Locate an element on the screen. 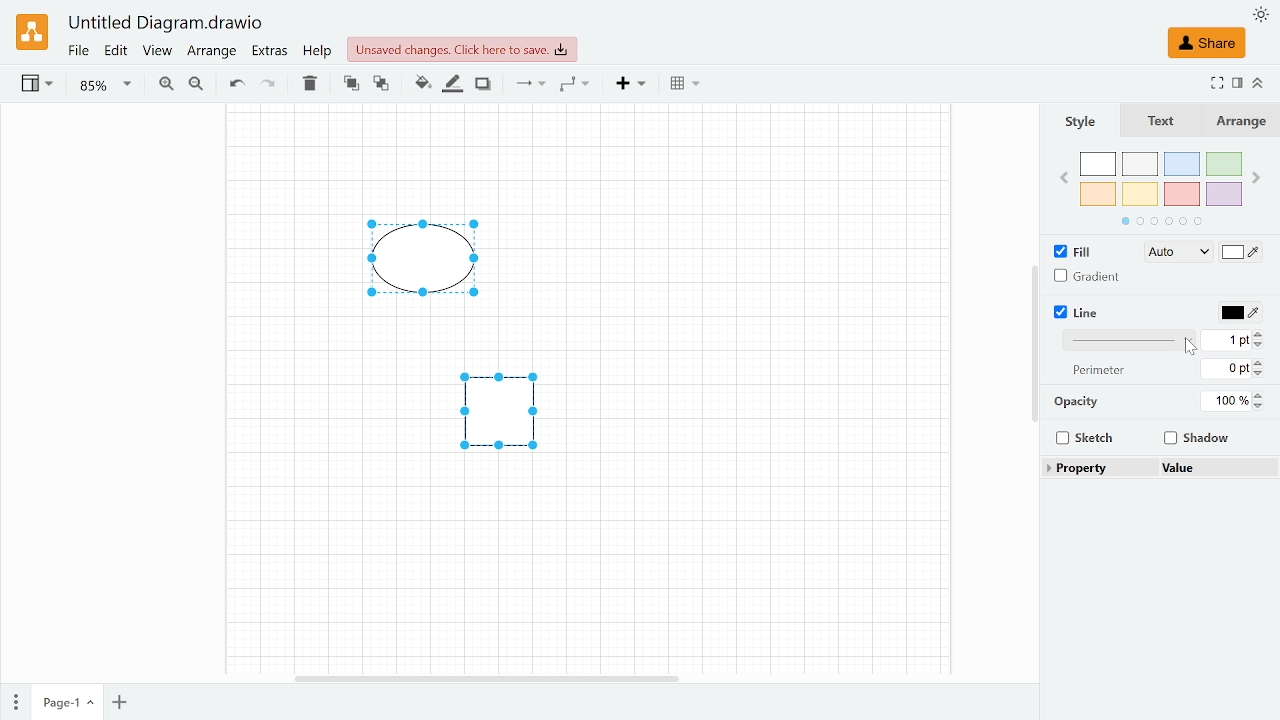 The width and height of the screenshot is (1280, 720). Fill style is located at coordinates (1170, 253).